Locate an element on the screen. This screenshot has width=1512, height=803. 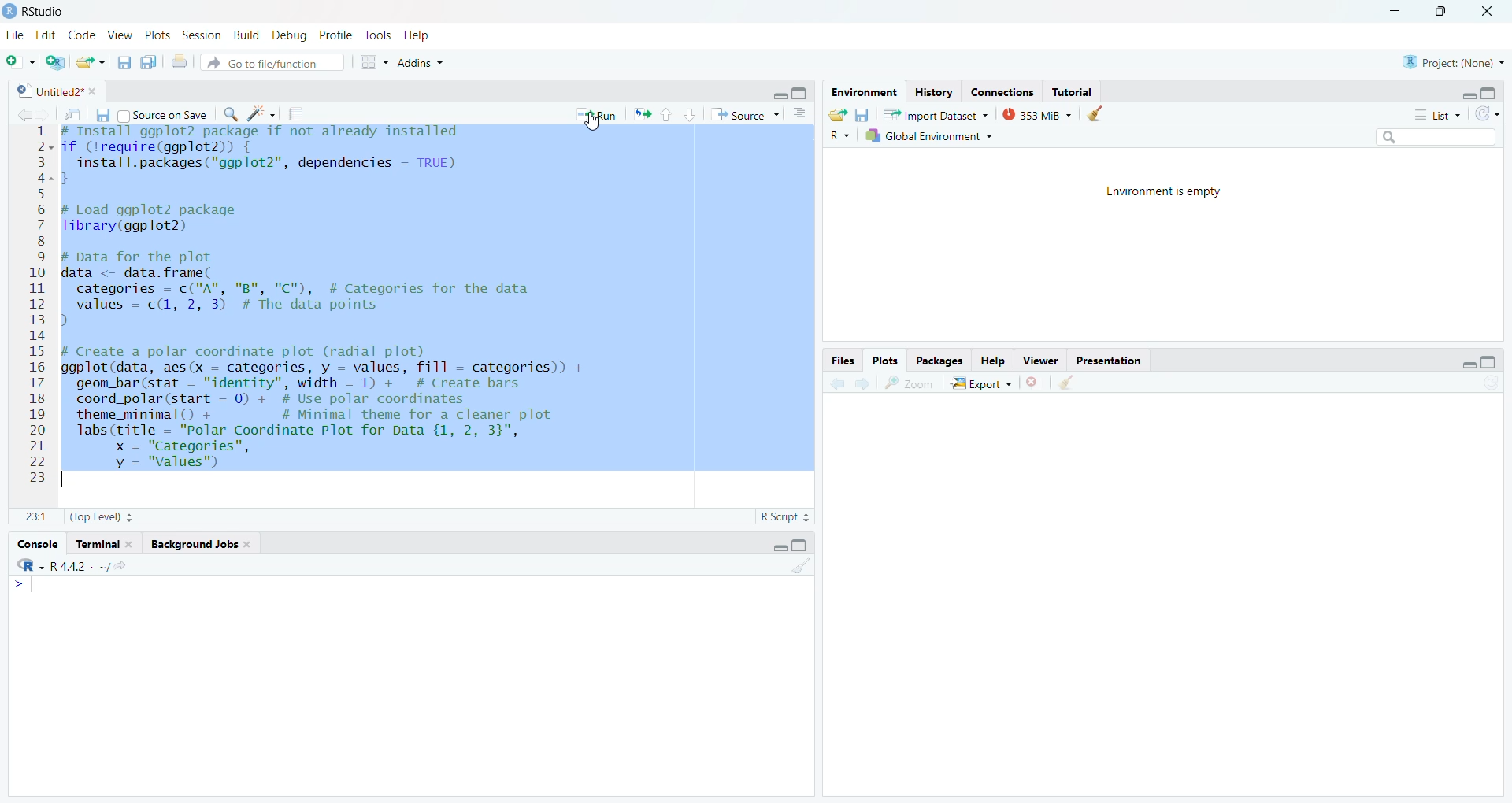
search bar is located at coordinates (1440, 139).